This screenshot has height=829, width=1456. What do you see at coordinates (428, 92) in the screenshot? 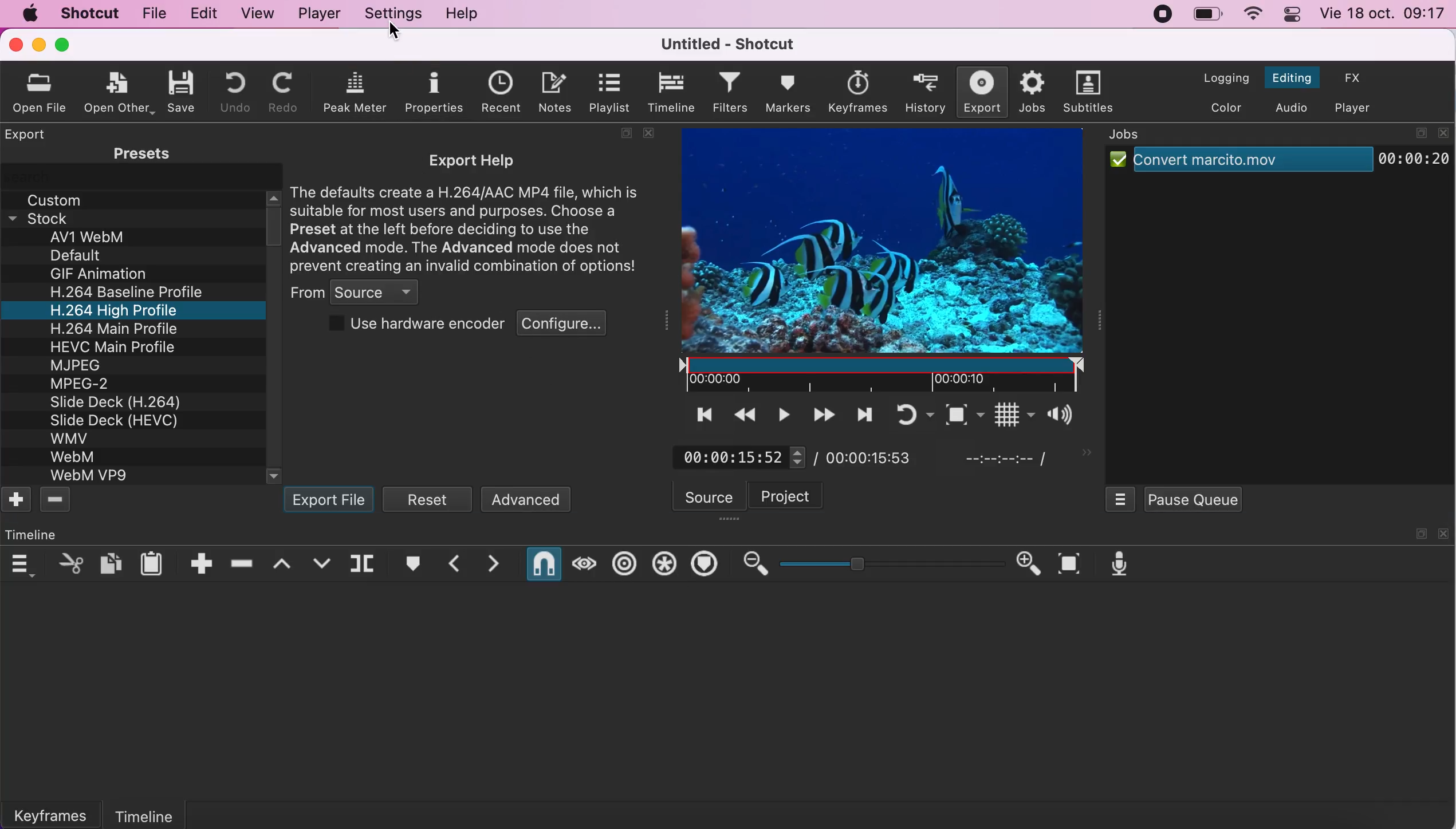
I see `properties` at bounding box center [428, 92].